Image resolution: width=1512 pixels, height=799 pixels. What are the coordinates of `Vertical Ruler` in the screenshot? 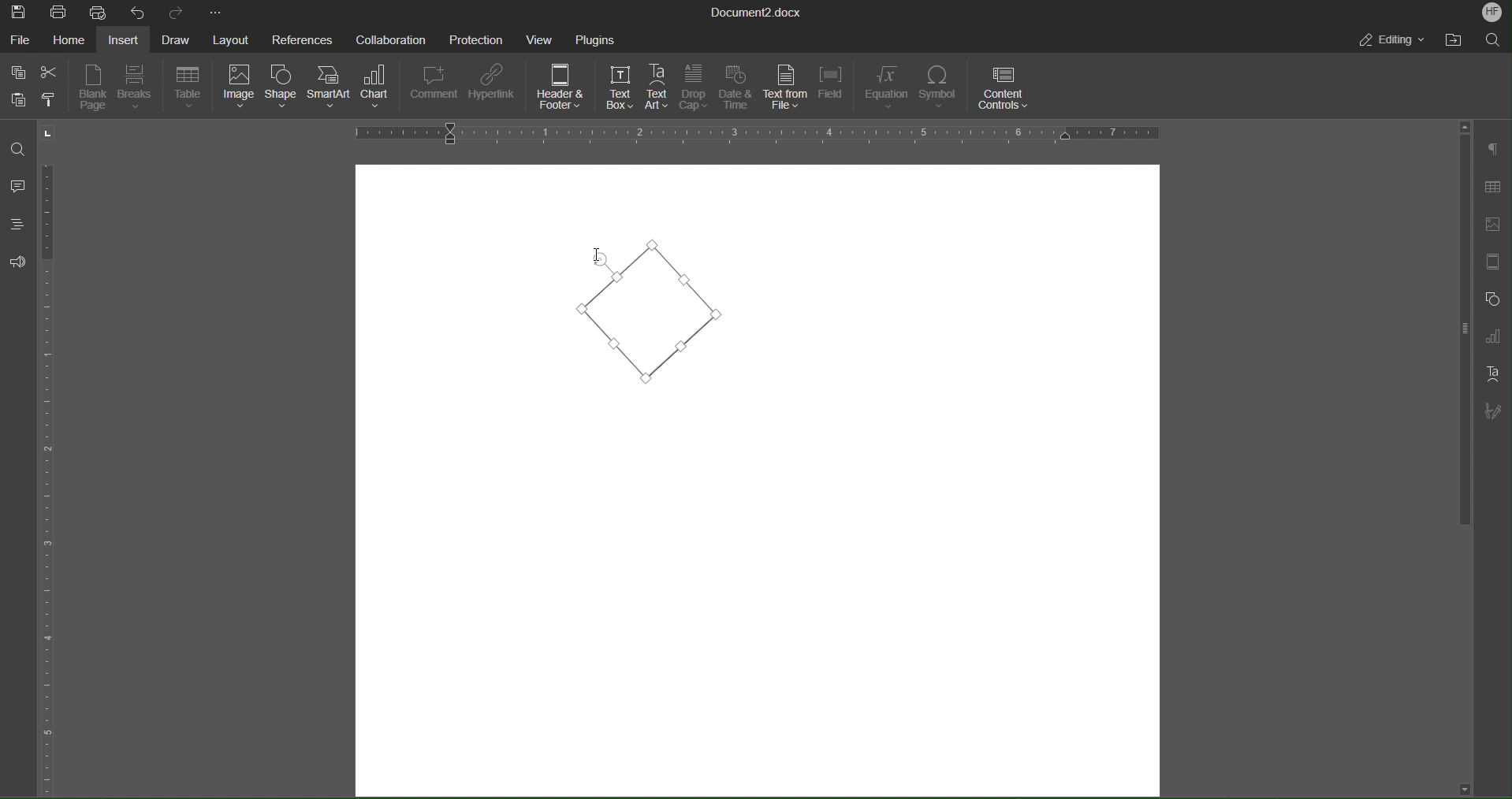 It's located at (50, 474).